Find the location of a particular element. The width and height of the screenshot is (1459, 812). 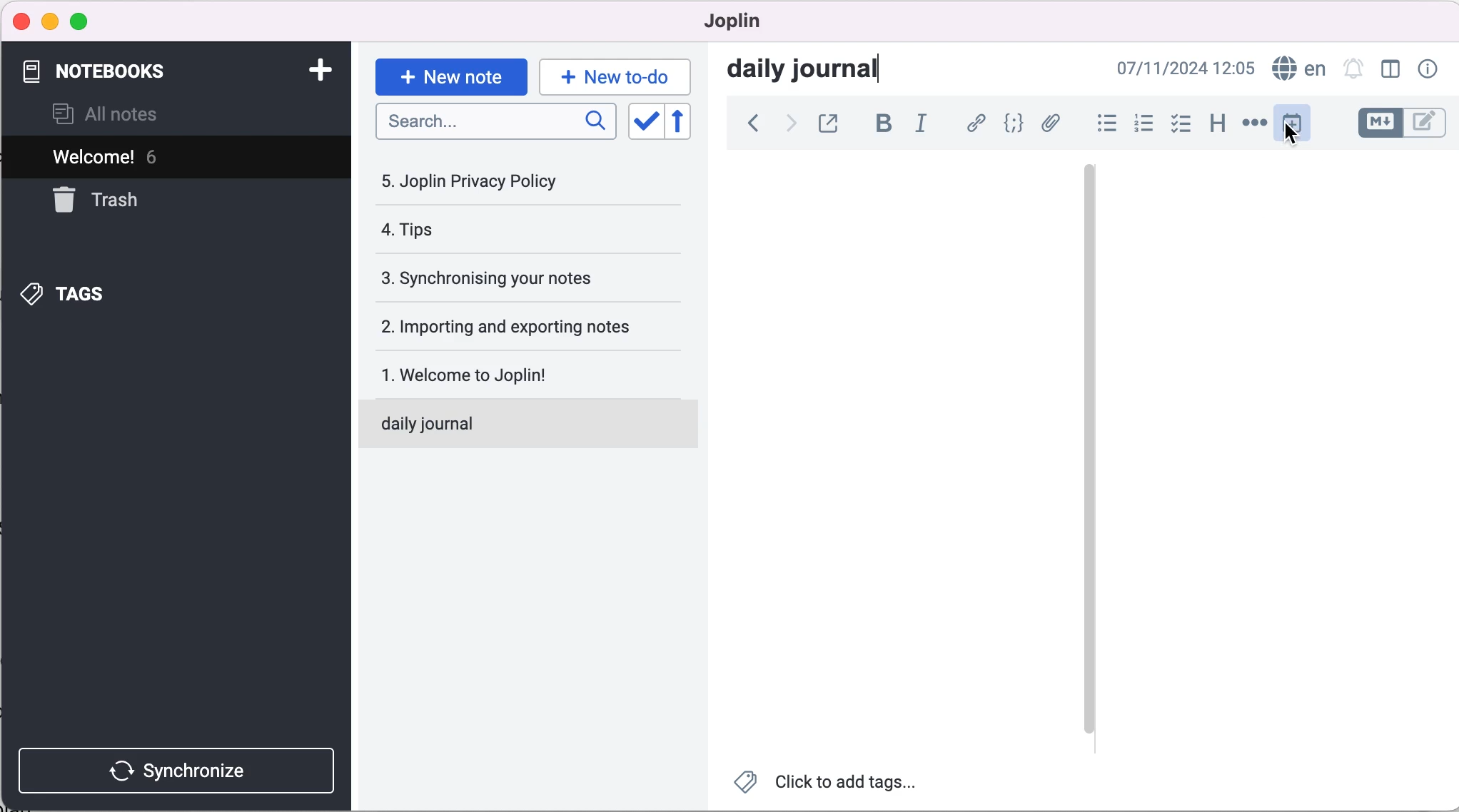

insert time is located at coordinates (1293, 127).